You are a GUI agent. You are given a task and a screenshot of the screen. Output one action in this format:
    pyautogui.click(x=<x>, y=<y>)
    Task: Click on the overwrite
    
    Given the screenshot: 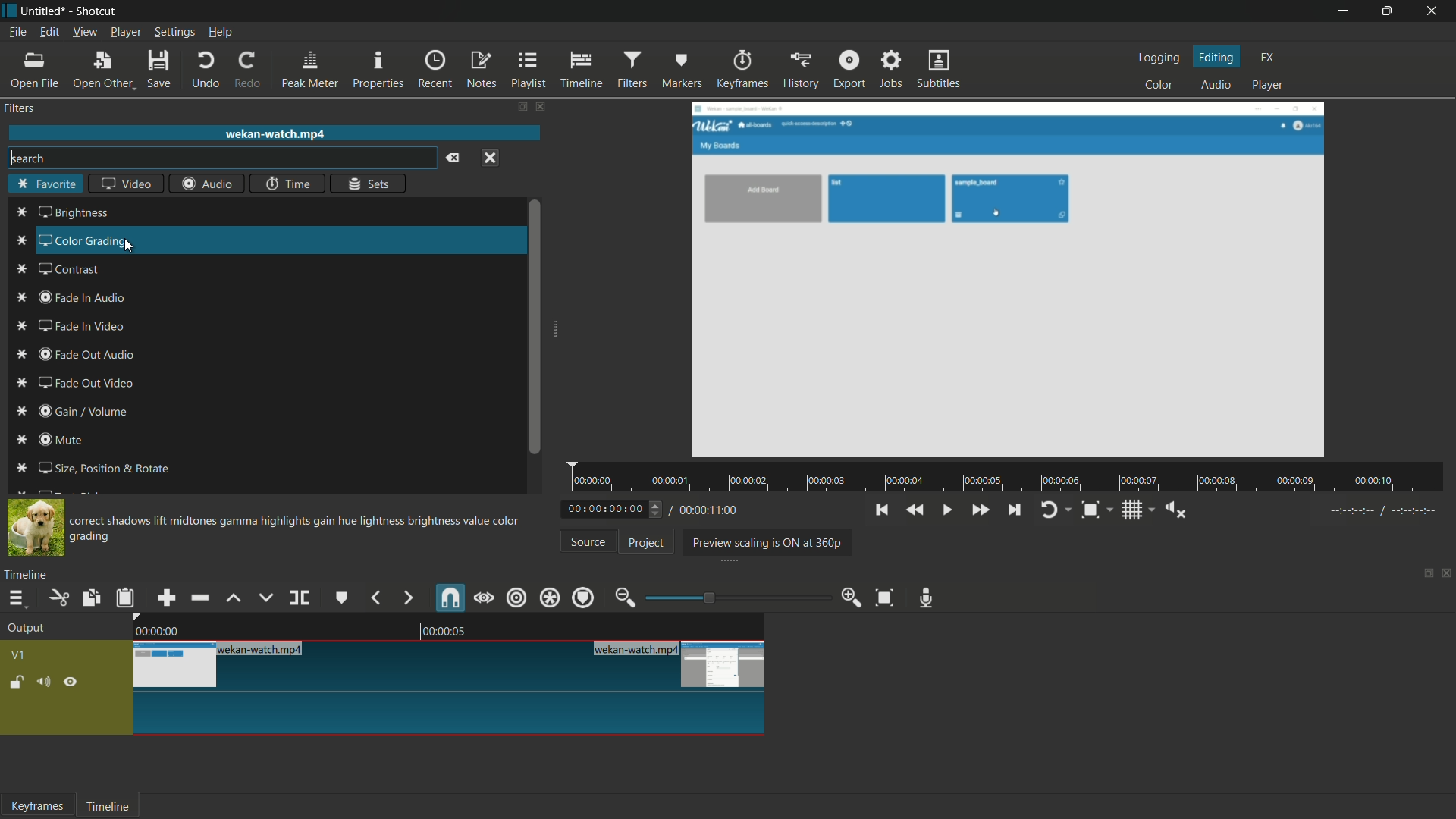 What is the action you would take?
    pyautogui.click(x=265, y=597)
    